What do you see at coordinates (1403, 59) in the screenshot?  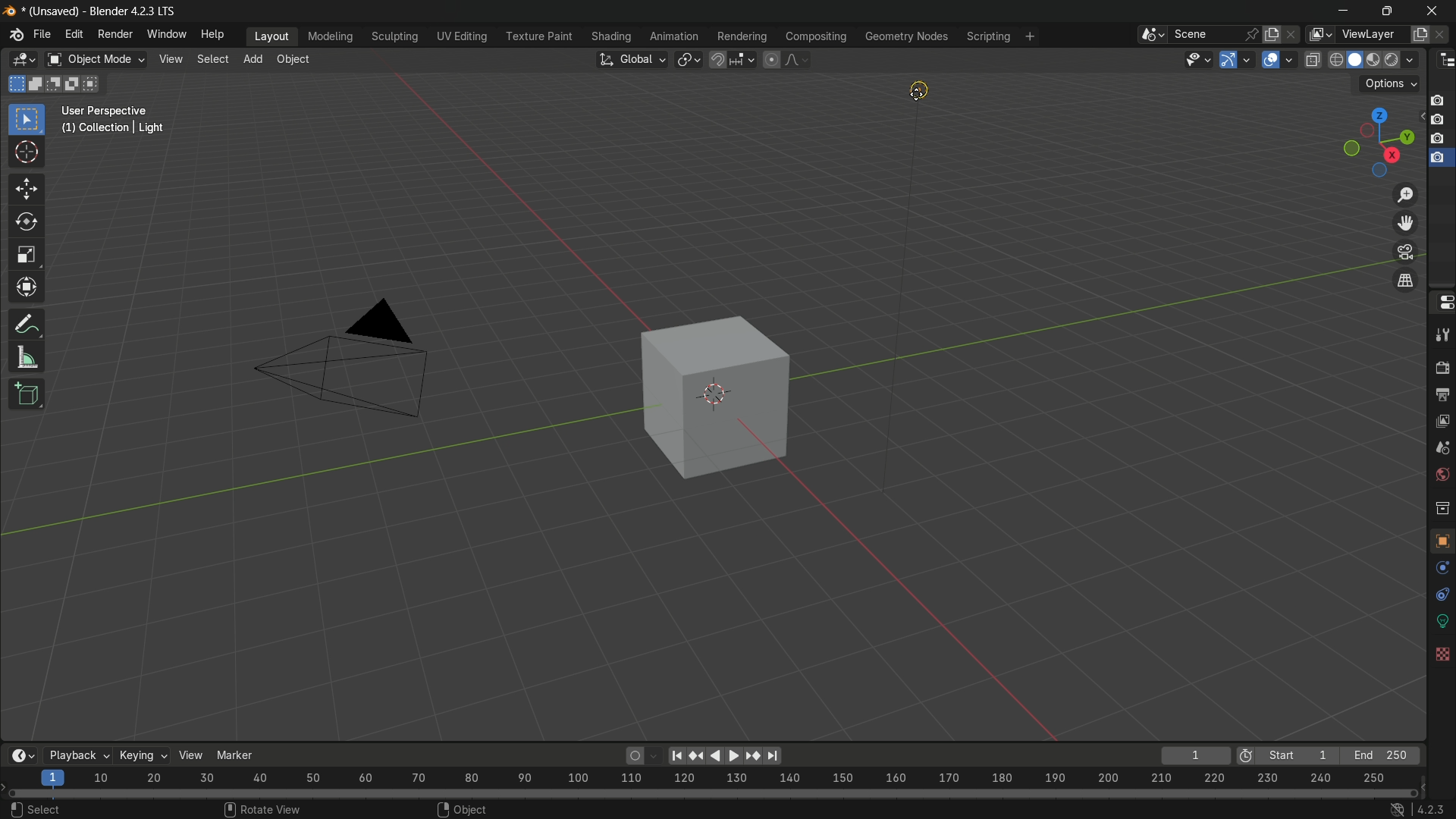 I see `rendered` at bounding box center [1403, 59].